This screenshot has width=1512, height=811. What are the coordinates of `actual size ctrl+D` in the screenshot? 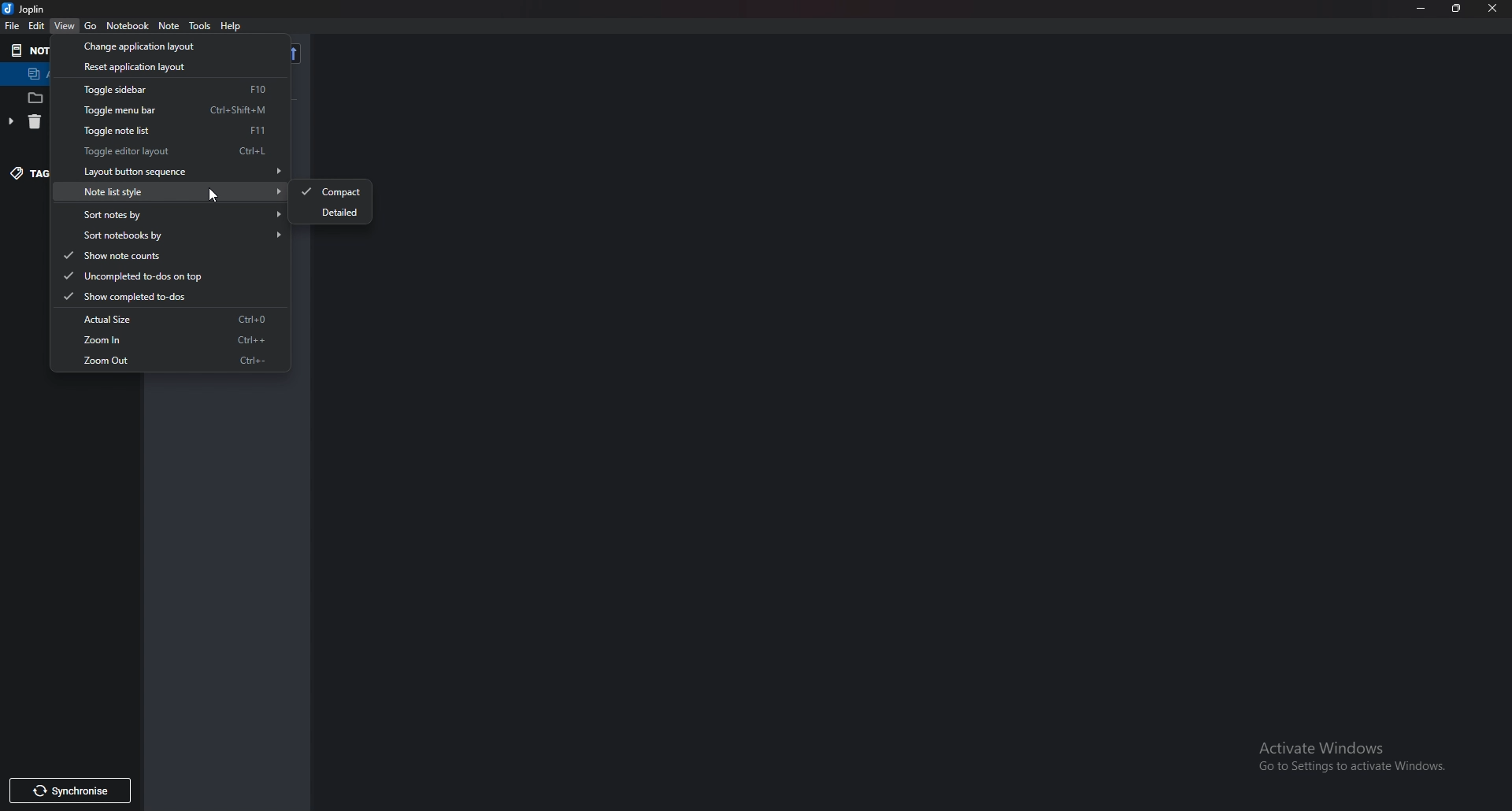 It's located at (187, 319).